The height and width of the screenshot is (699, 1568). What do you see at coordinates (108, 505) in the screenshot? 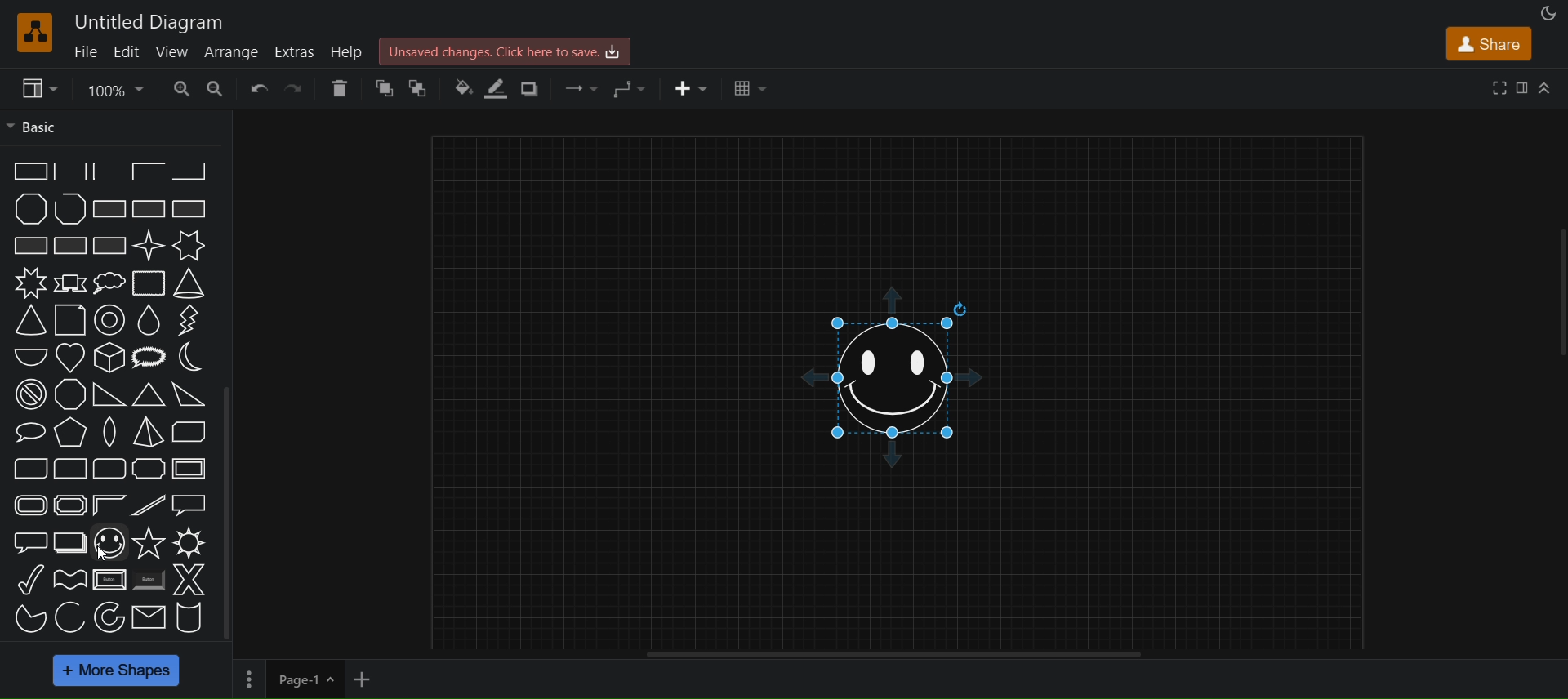
I see `frame corner` at bounding box center [108, 505].